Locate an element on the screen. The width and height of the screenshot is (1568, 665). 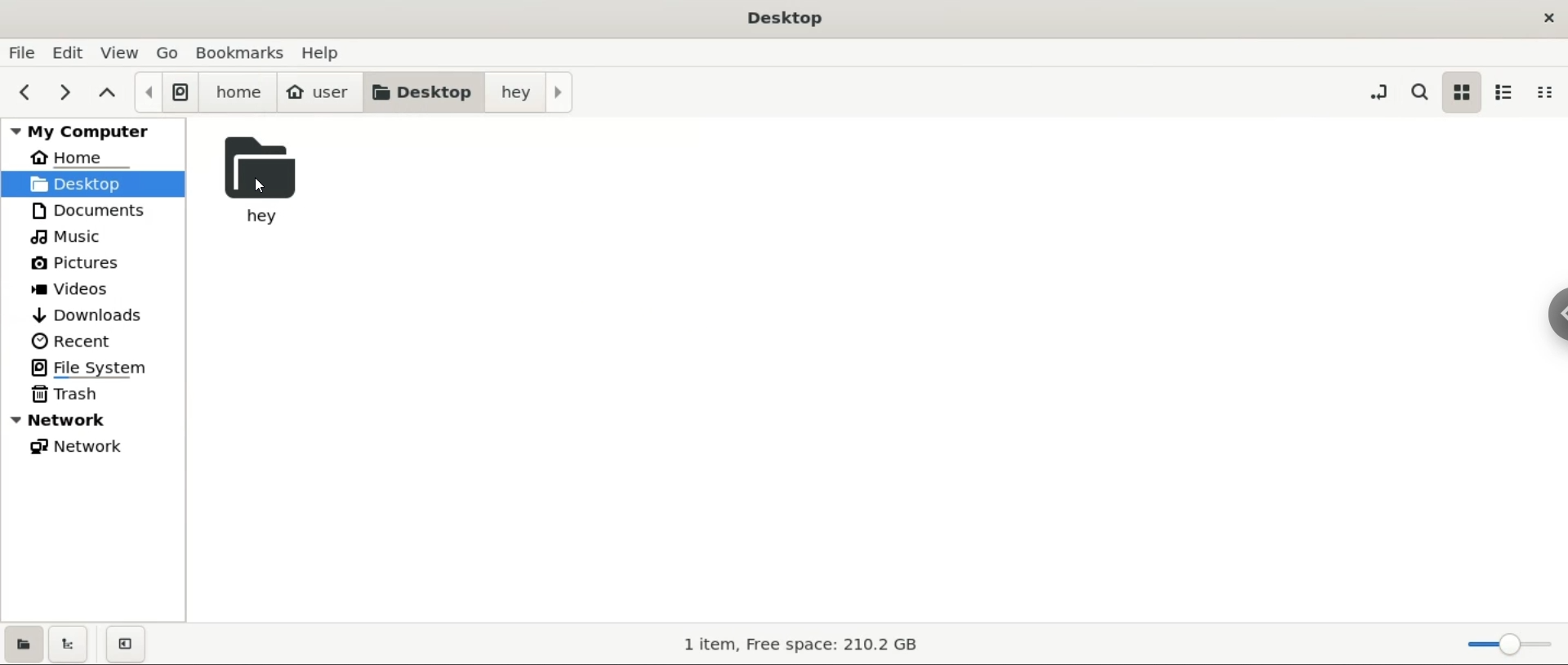
title is located at coordinates (781, 16).